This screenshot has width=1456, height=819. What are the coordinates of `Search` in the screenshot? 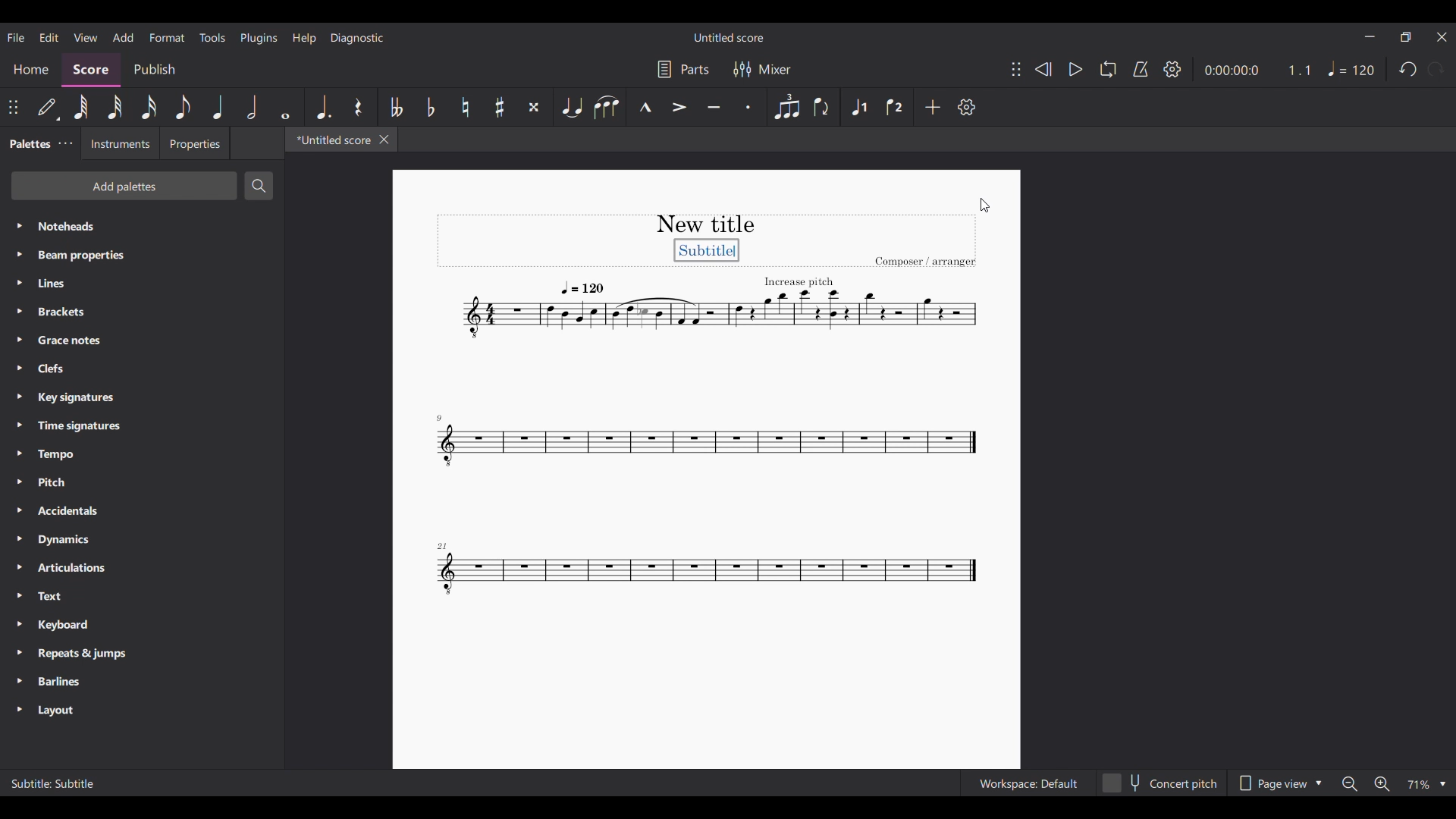 It's located at (259, 186).